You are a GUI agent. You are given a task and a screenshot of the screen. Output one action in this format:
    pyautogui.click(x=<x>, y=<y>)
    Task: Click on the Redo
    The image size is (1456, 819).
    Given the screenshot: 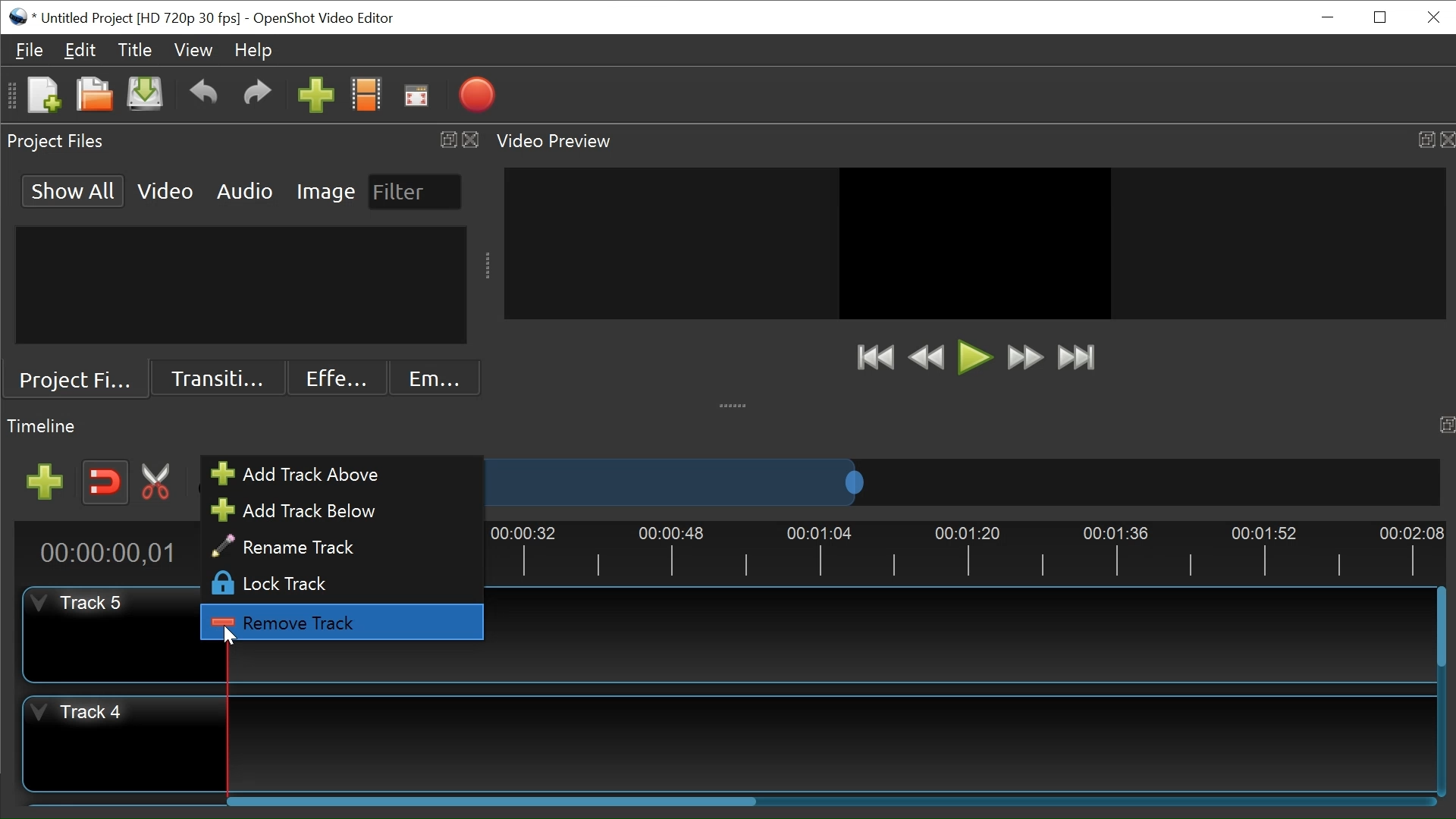 What is the action you would take?
    pyautogui.click(x=257, y=96)
    